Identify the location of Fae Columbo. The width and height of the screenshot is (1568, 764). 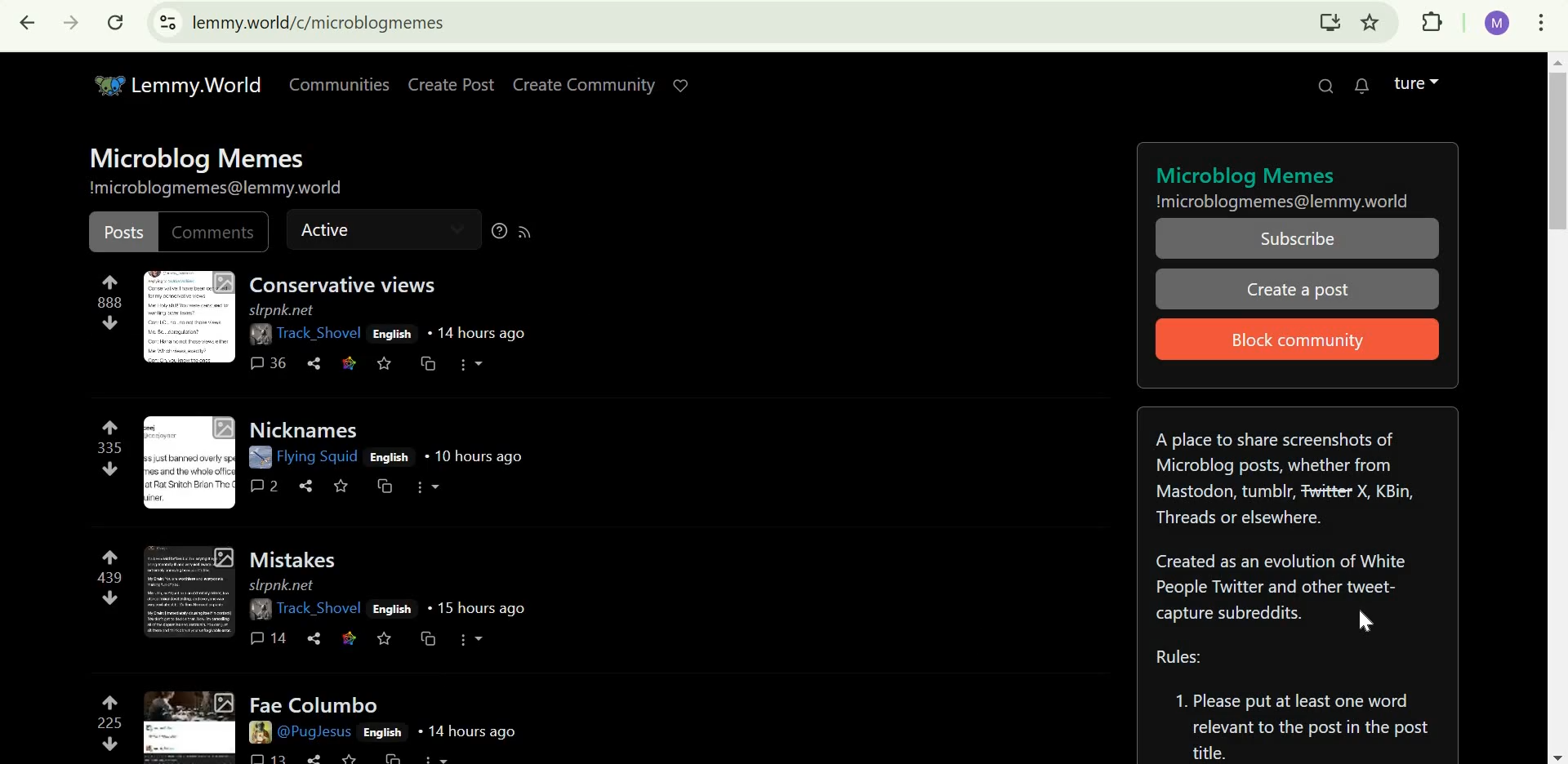
(312, 702).